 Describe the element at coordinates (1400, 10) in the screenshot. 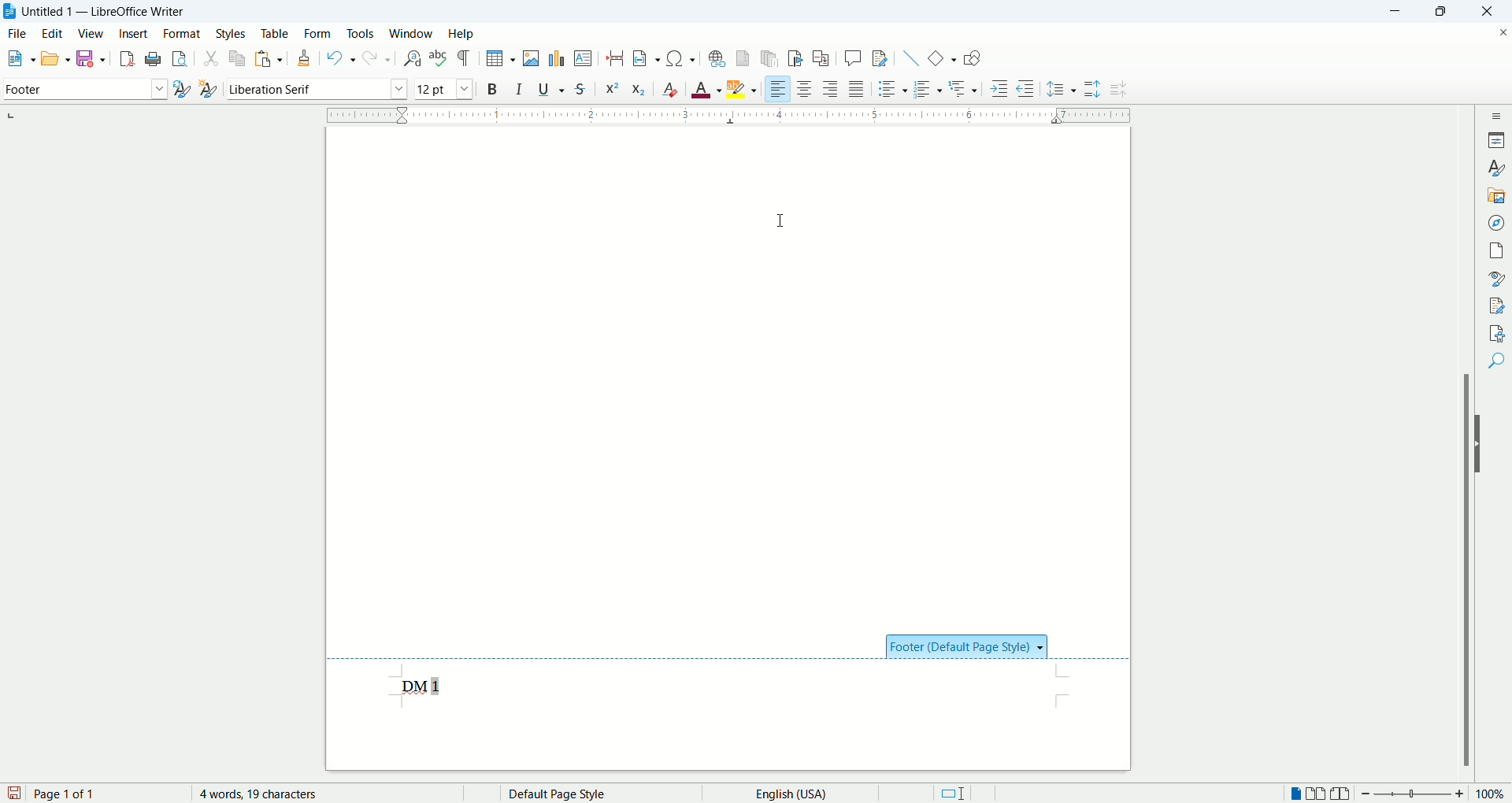

I see `minimize` at that location.